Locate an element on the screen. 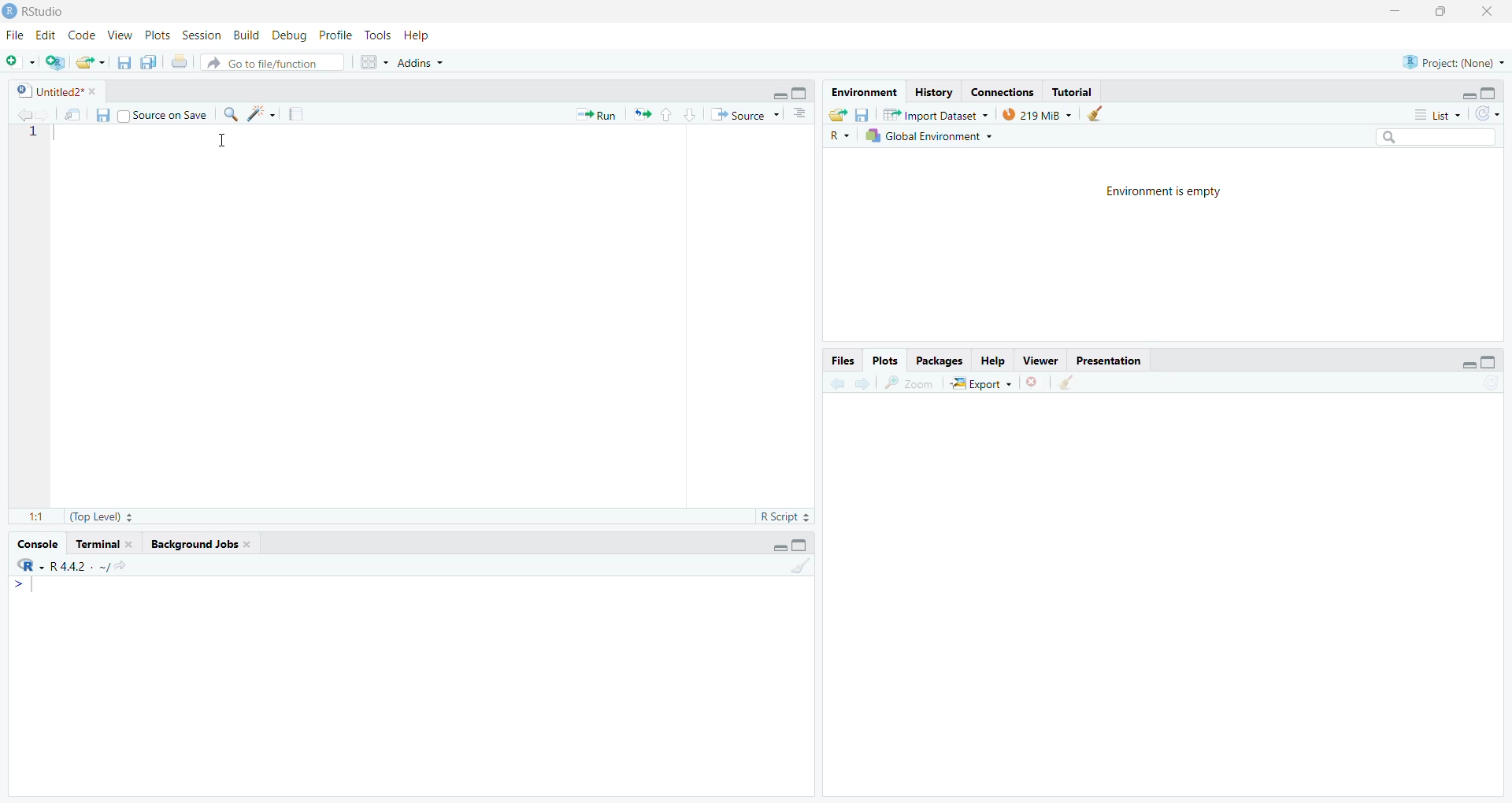 This screenshot has height=803, width=1512. Untitled2* is located at coordinates (55, 91).